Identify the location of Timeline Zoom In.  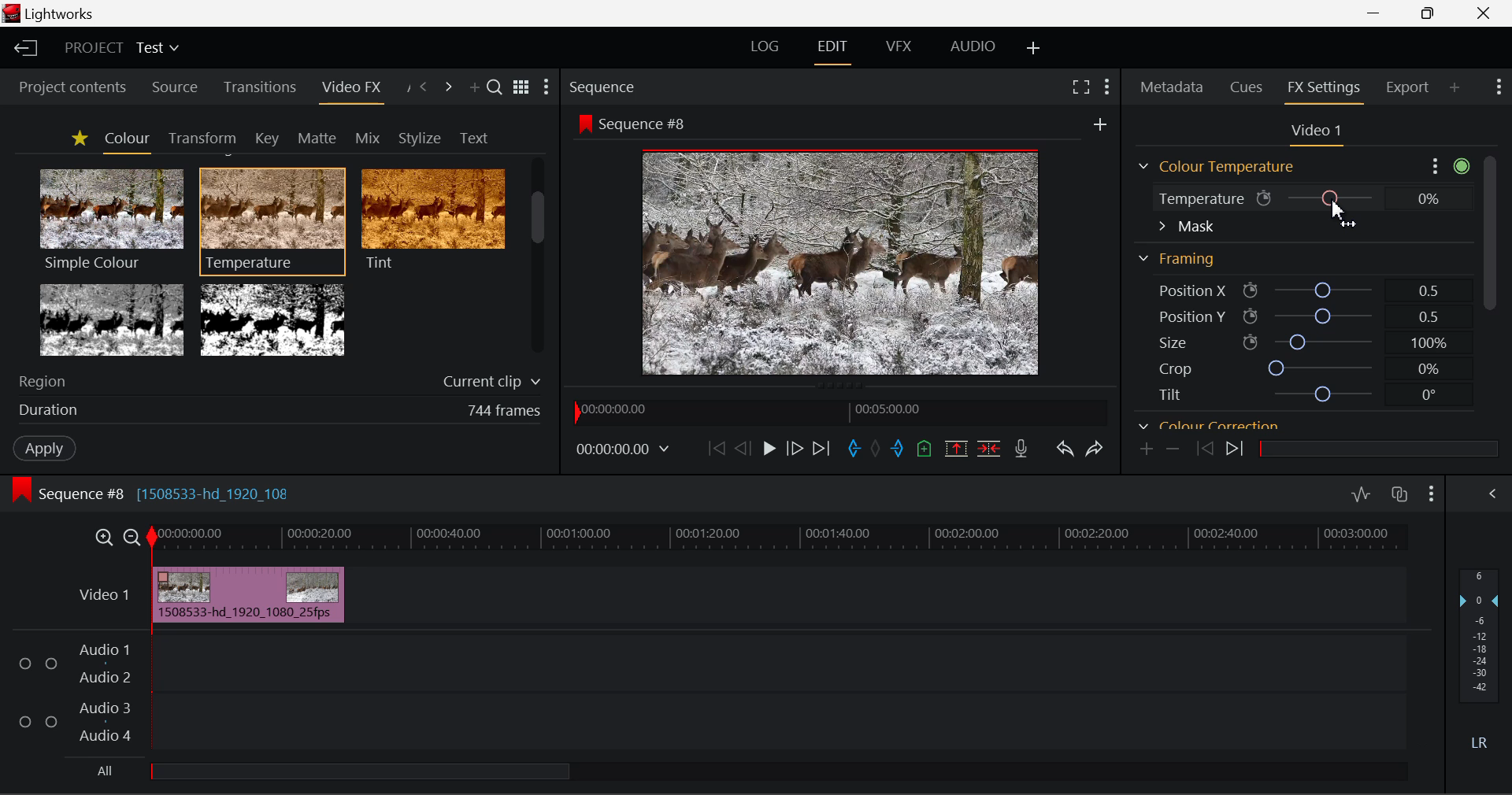
(106, 536).